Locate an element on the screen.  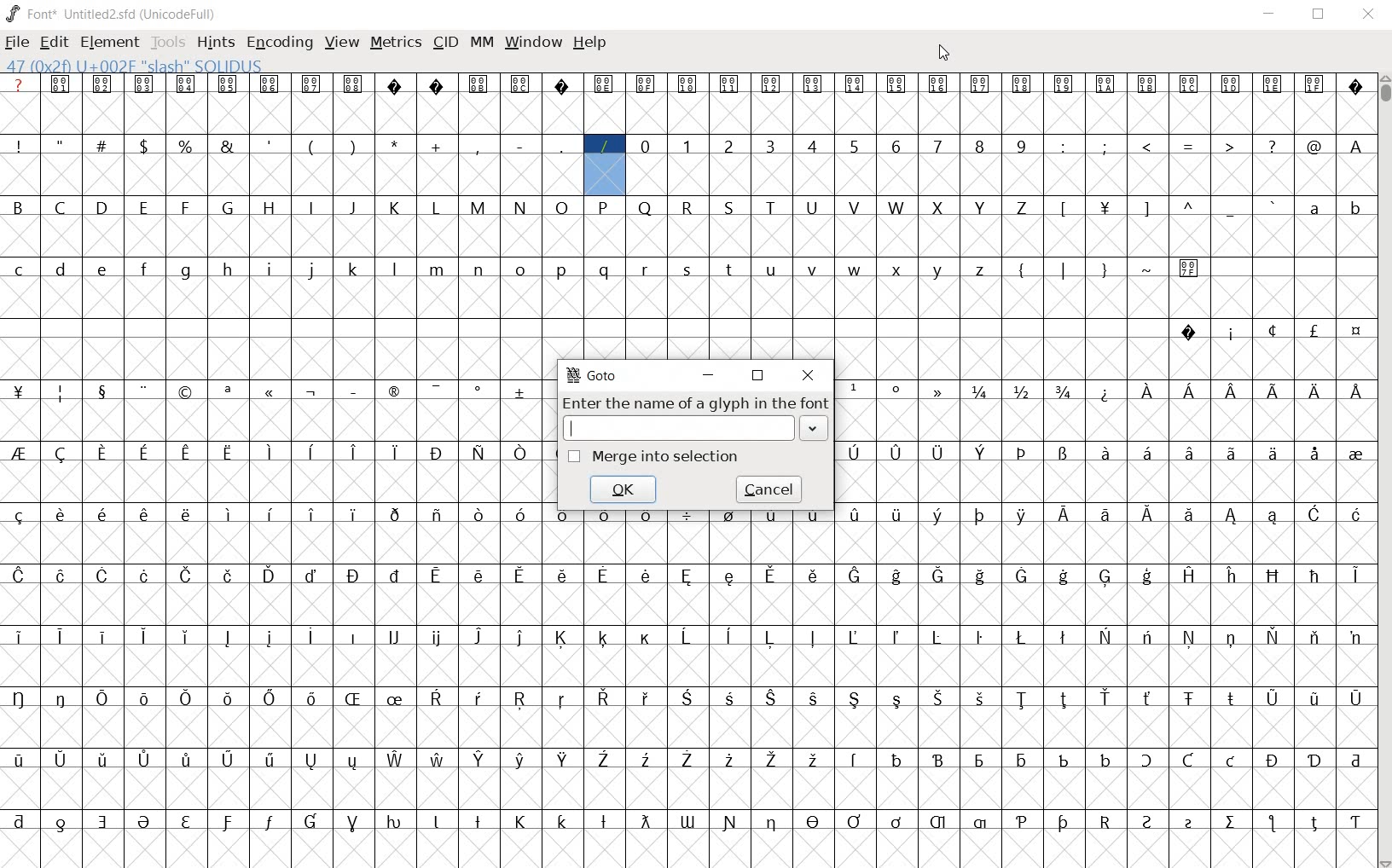
GoTo is located at coordinates (593, 375).